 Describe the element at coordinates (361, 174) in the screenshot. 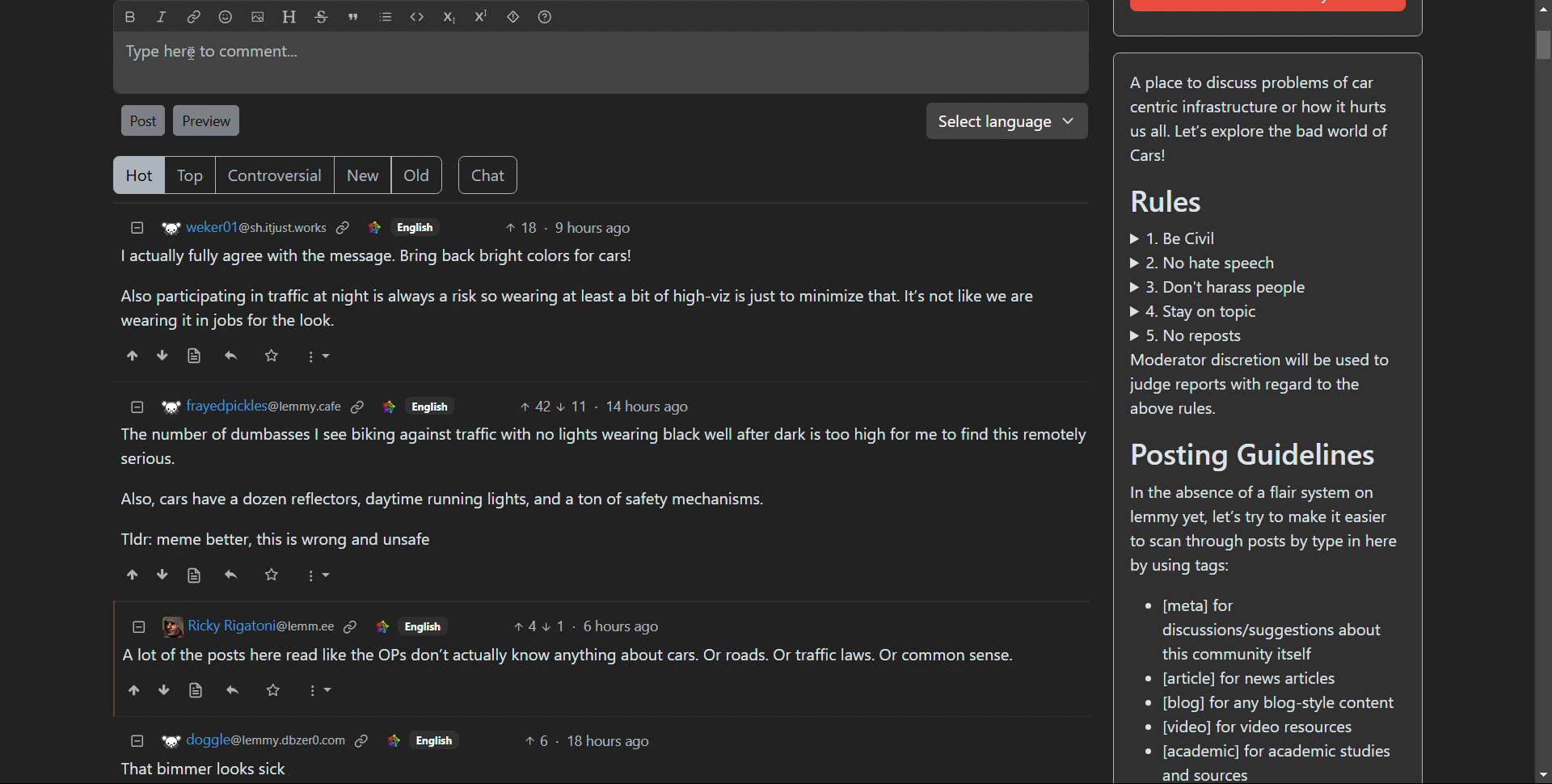

I see `new` at that location.